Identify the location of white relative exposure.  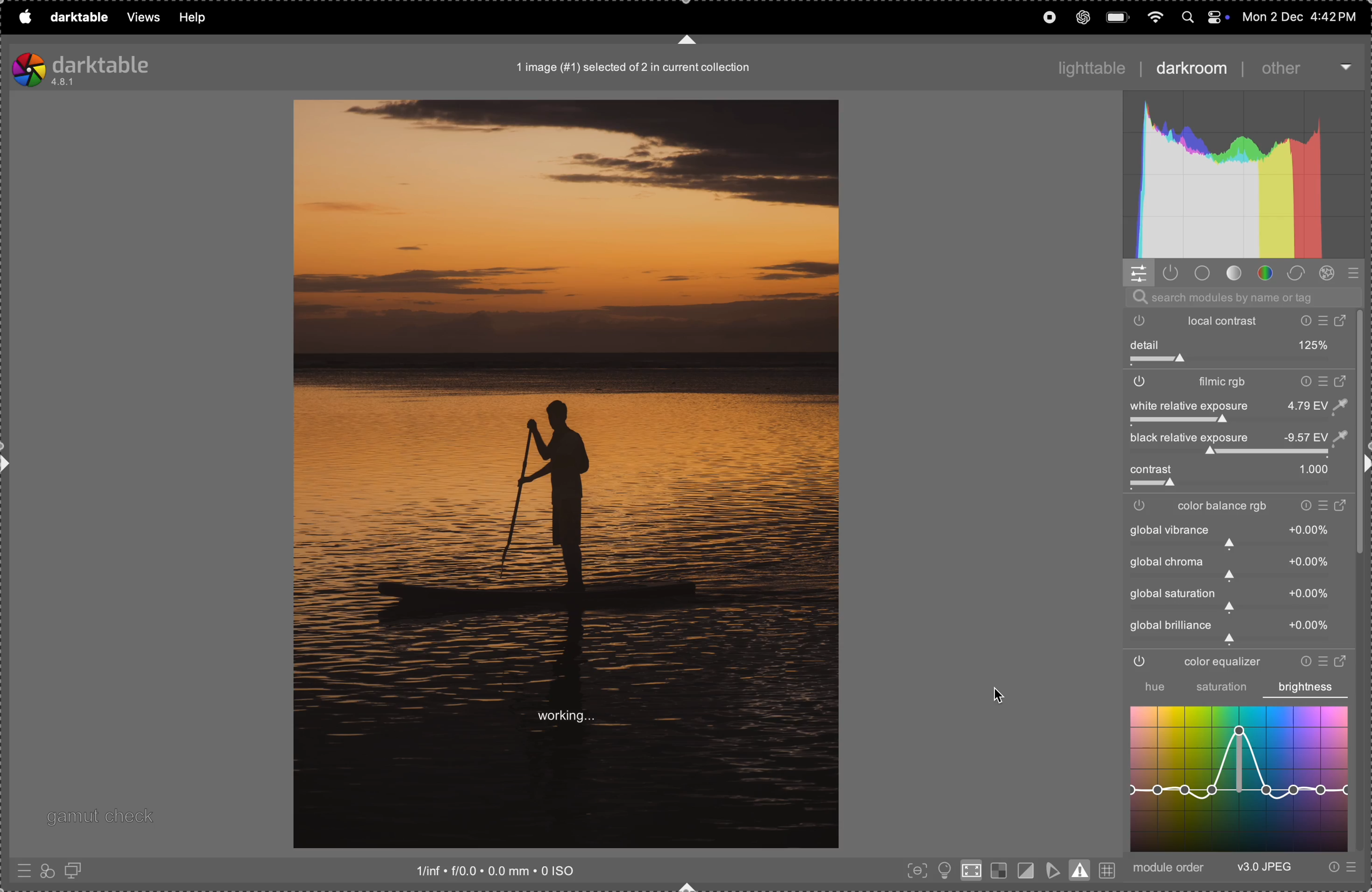
(1237, 405).